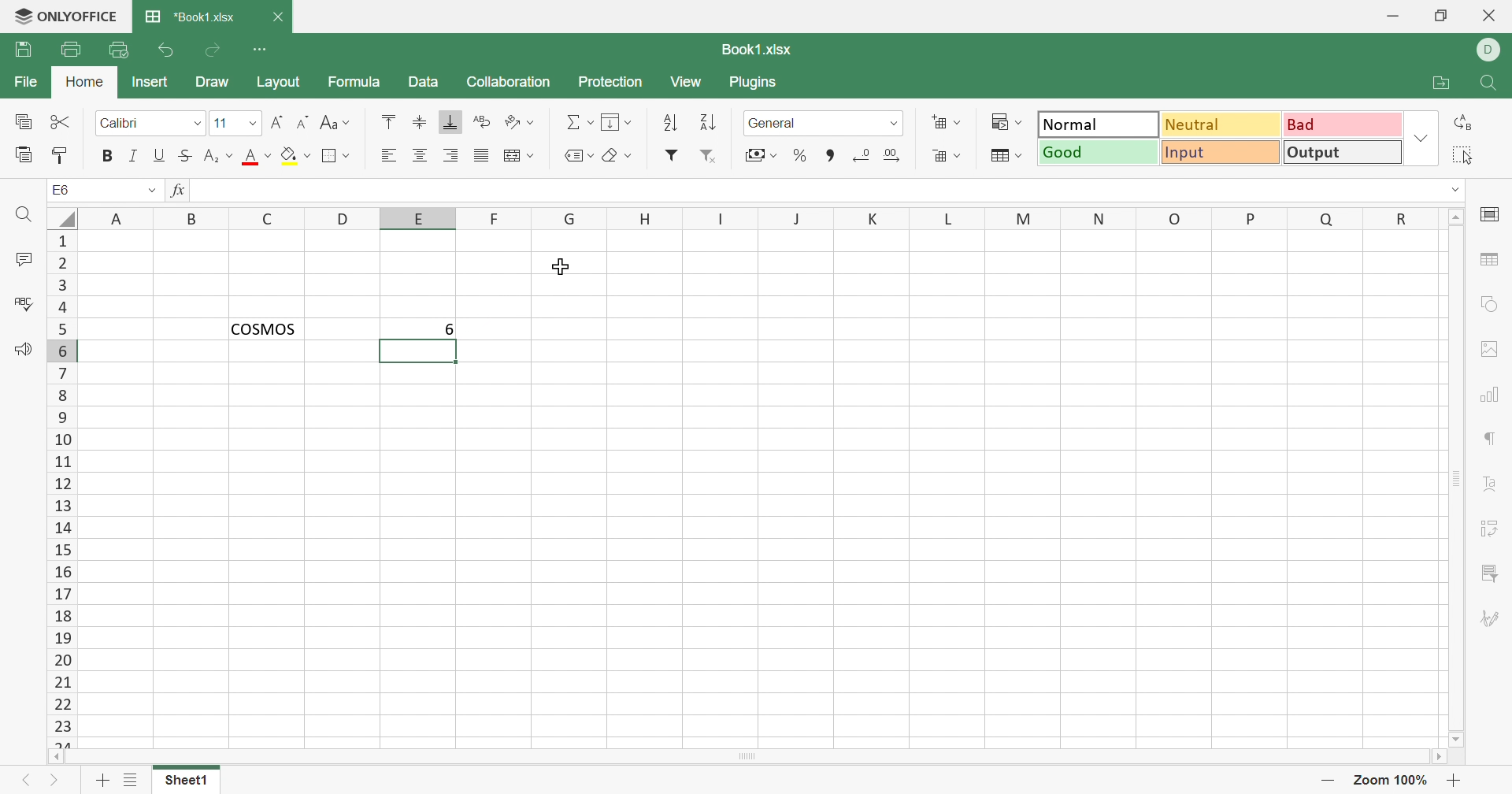 This screenshot has height=794, width=1512. Describe the element at coordinates (133, 779) in the screenshot. I see `List of sheets` at that location.